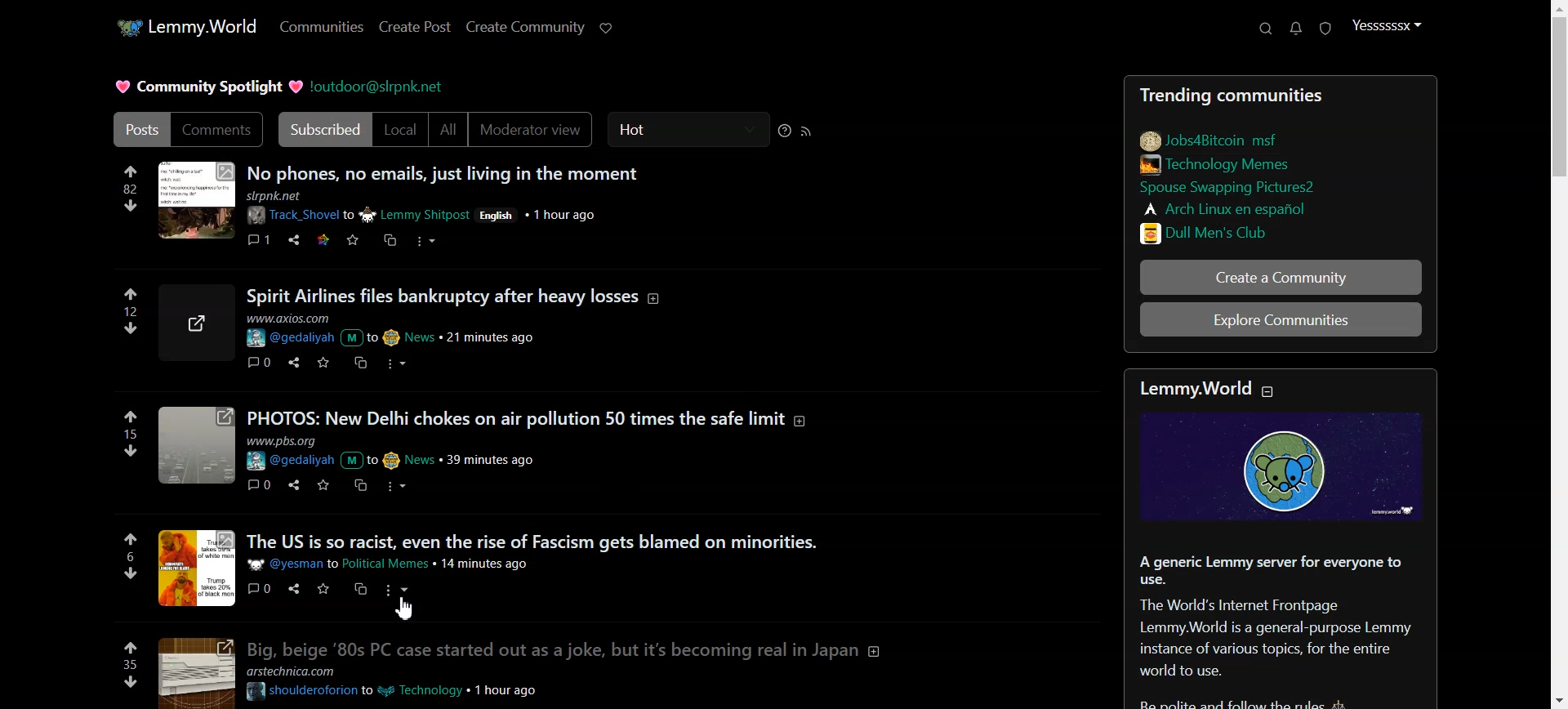 This screenshot has width=1568, height=709. I want to click on downvote, so click(127, 573).